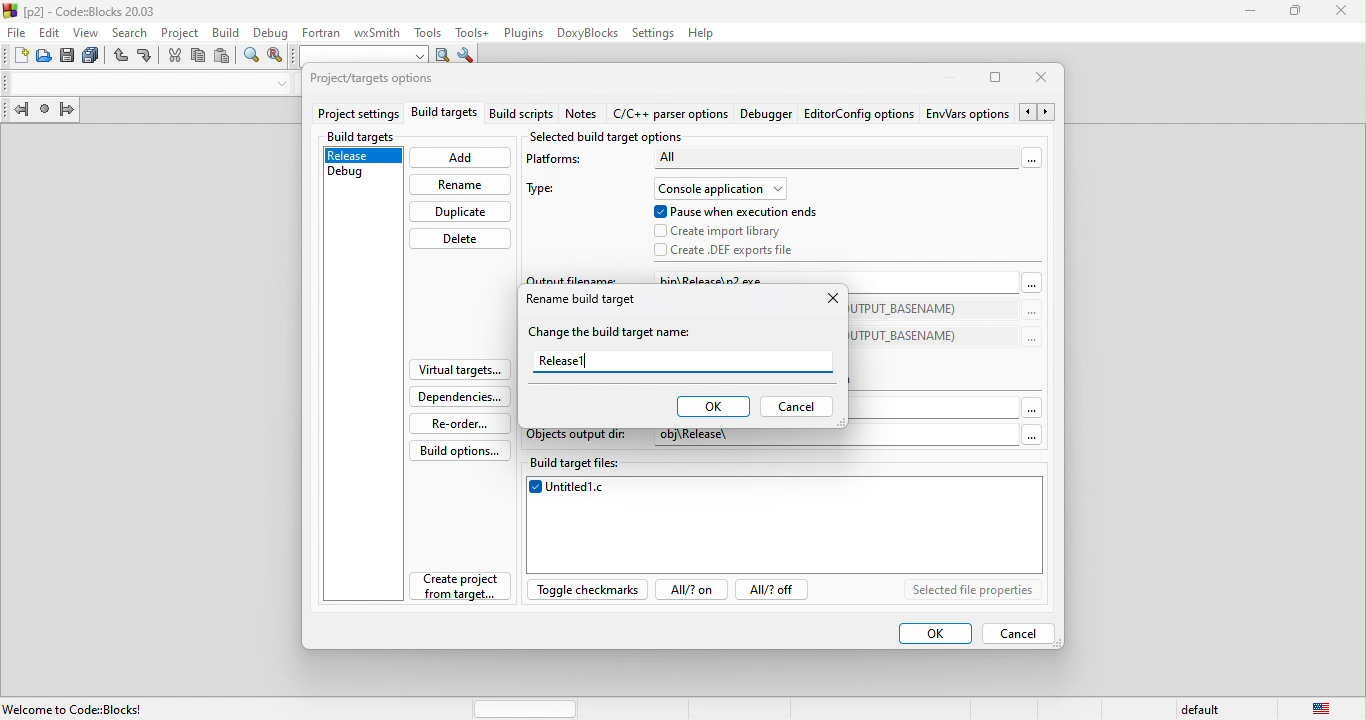  Describe the element at coordinates (318, 31) in the screenshot. I see `fortran` at that location.